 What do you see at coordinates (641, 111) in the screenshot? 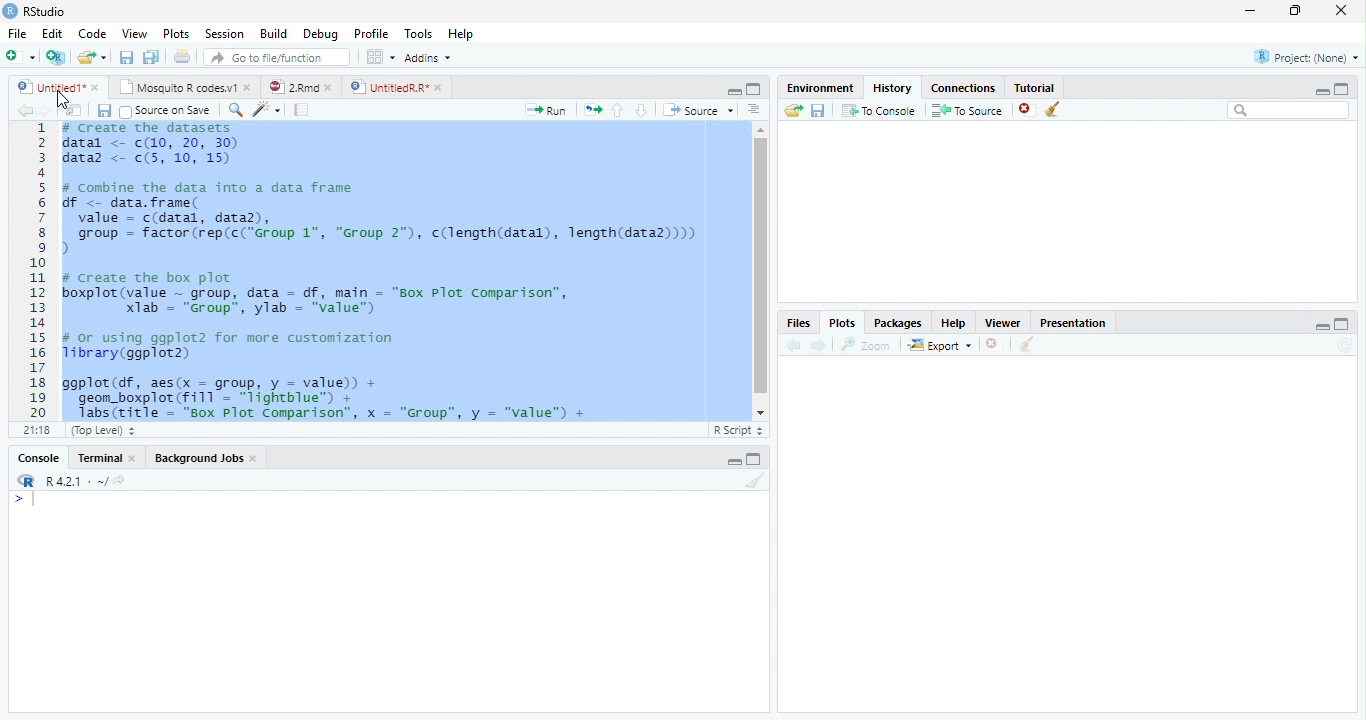
I see `Go to next section/chunk` at bounding box center [641, 111].